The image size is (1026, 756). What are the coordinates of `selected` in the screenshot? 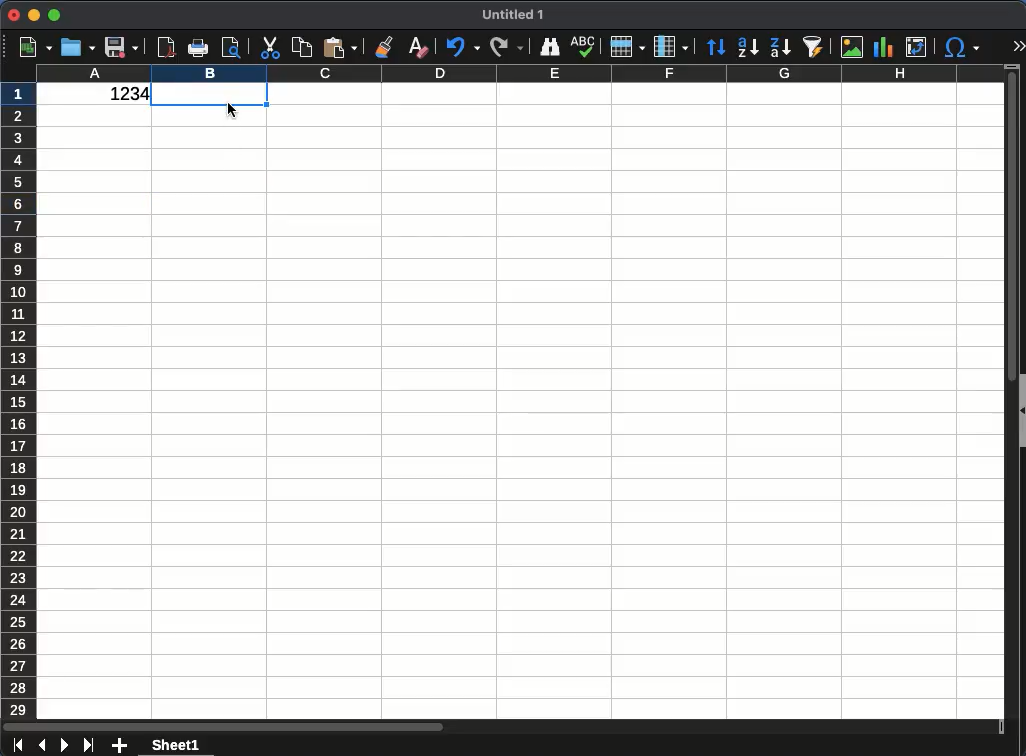 It's located at (211, 97).